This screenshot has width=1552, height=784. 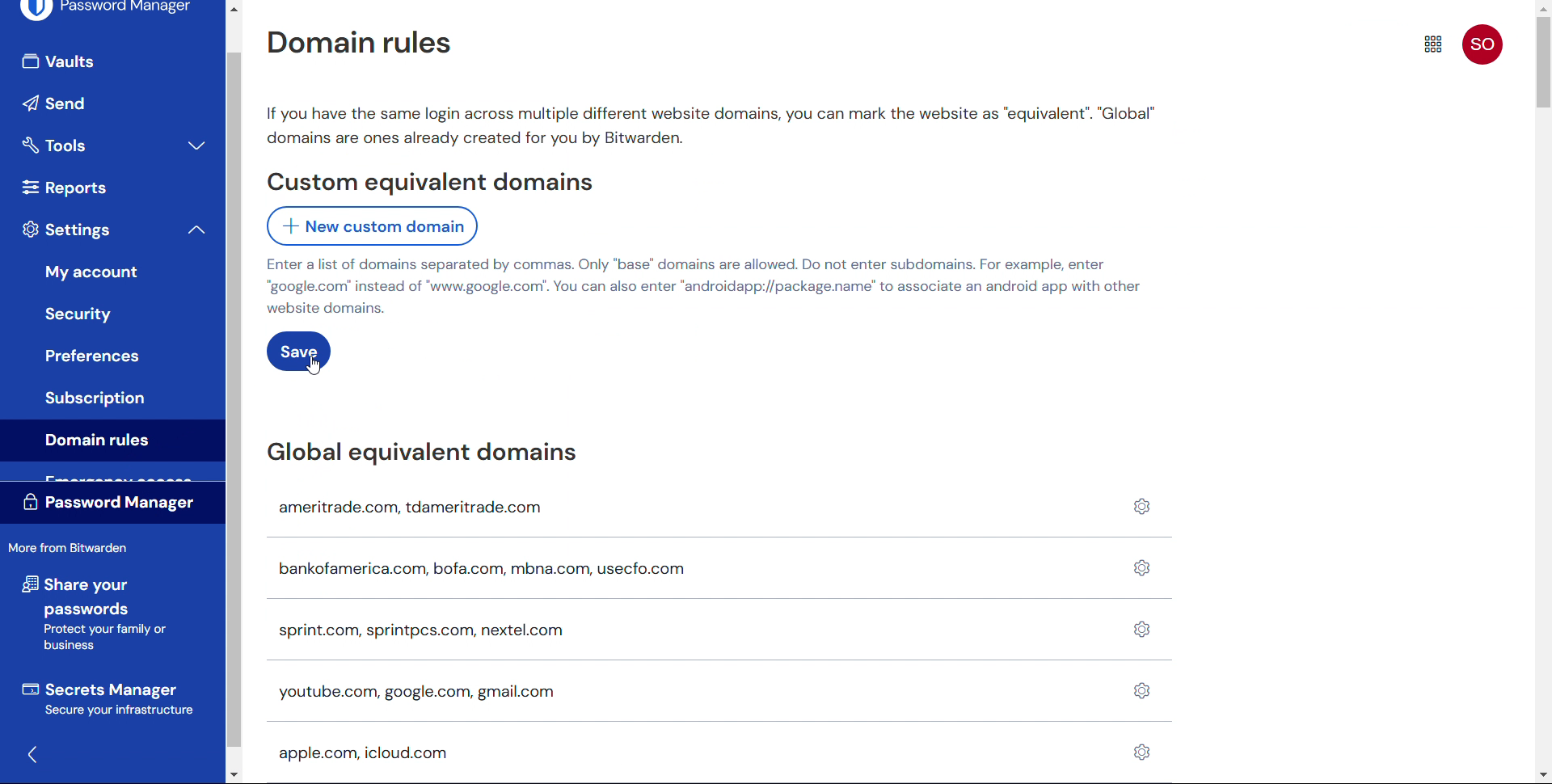 What do you see at coordinates (1434, 44) in the screenshot?
I see `Menu ` at bounding box center [1434, 44].